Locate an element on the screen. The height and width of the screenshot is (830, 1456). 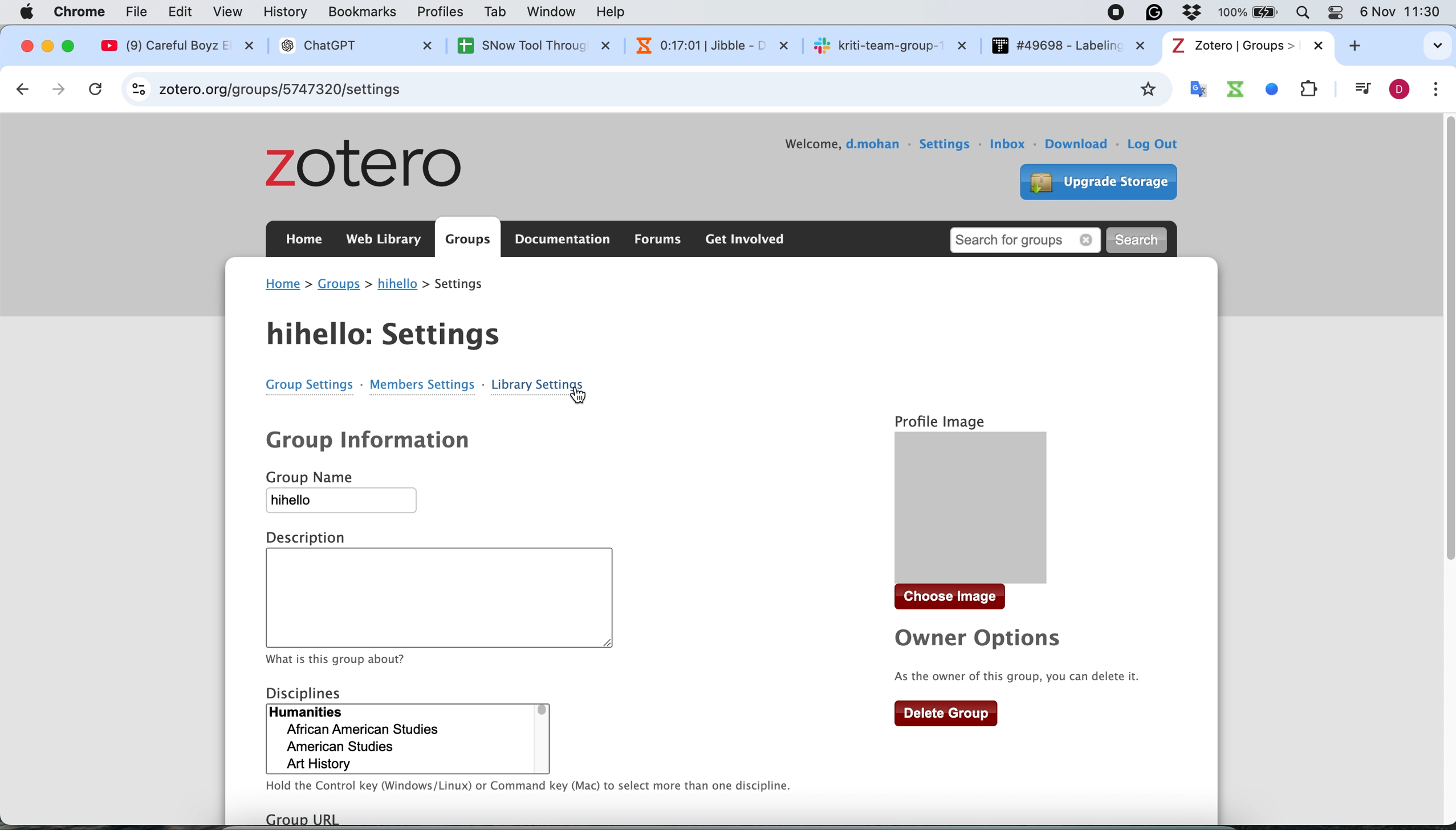
Apple logo is located at coordinates (27, 11).